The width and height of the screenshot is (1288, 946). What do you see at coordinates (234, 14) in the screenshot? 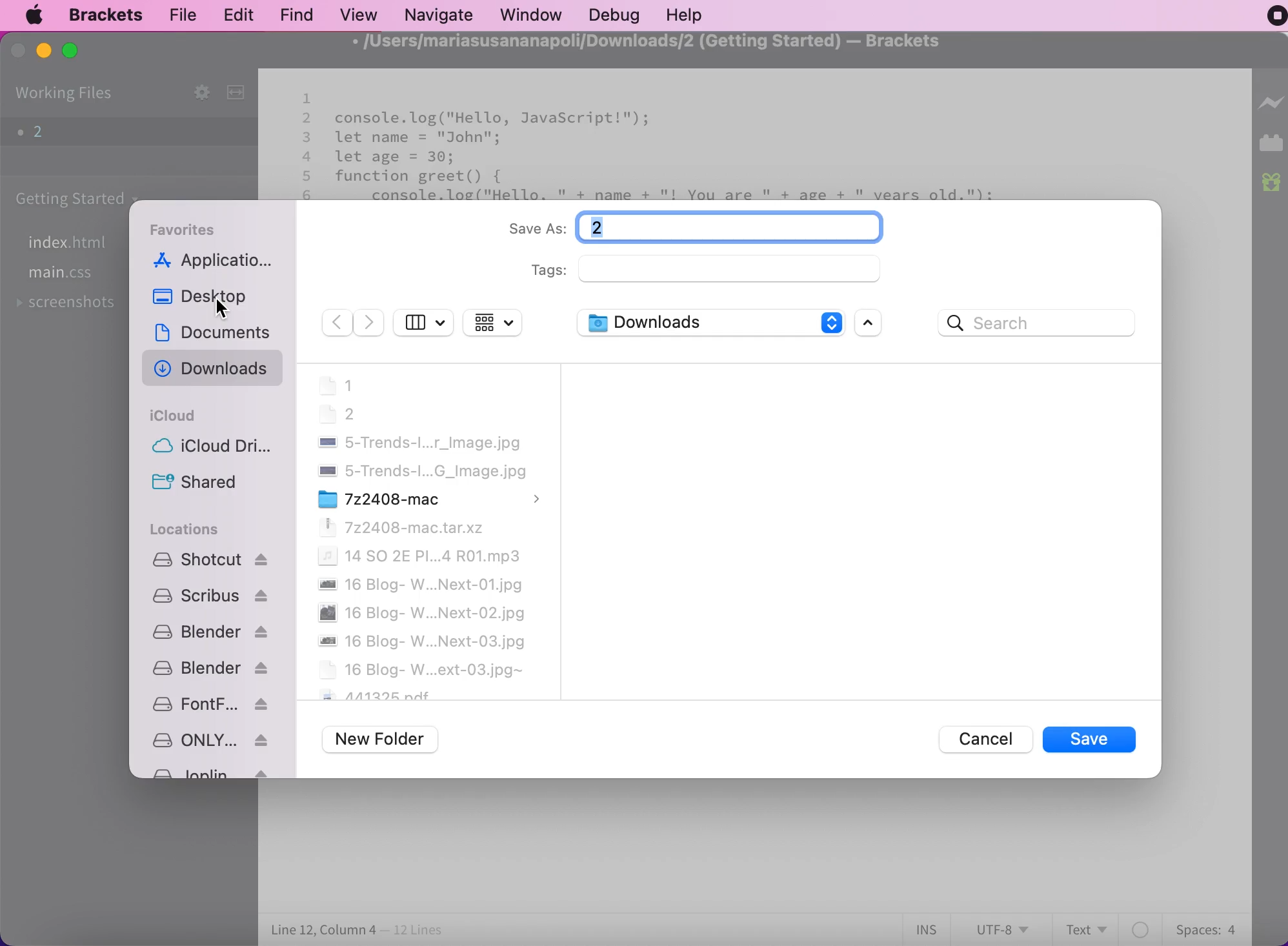
I see `edit` at bounding box center [234, 14].